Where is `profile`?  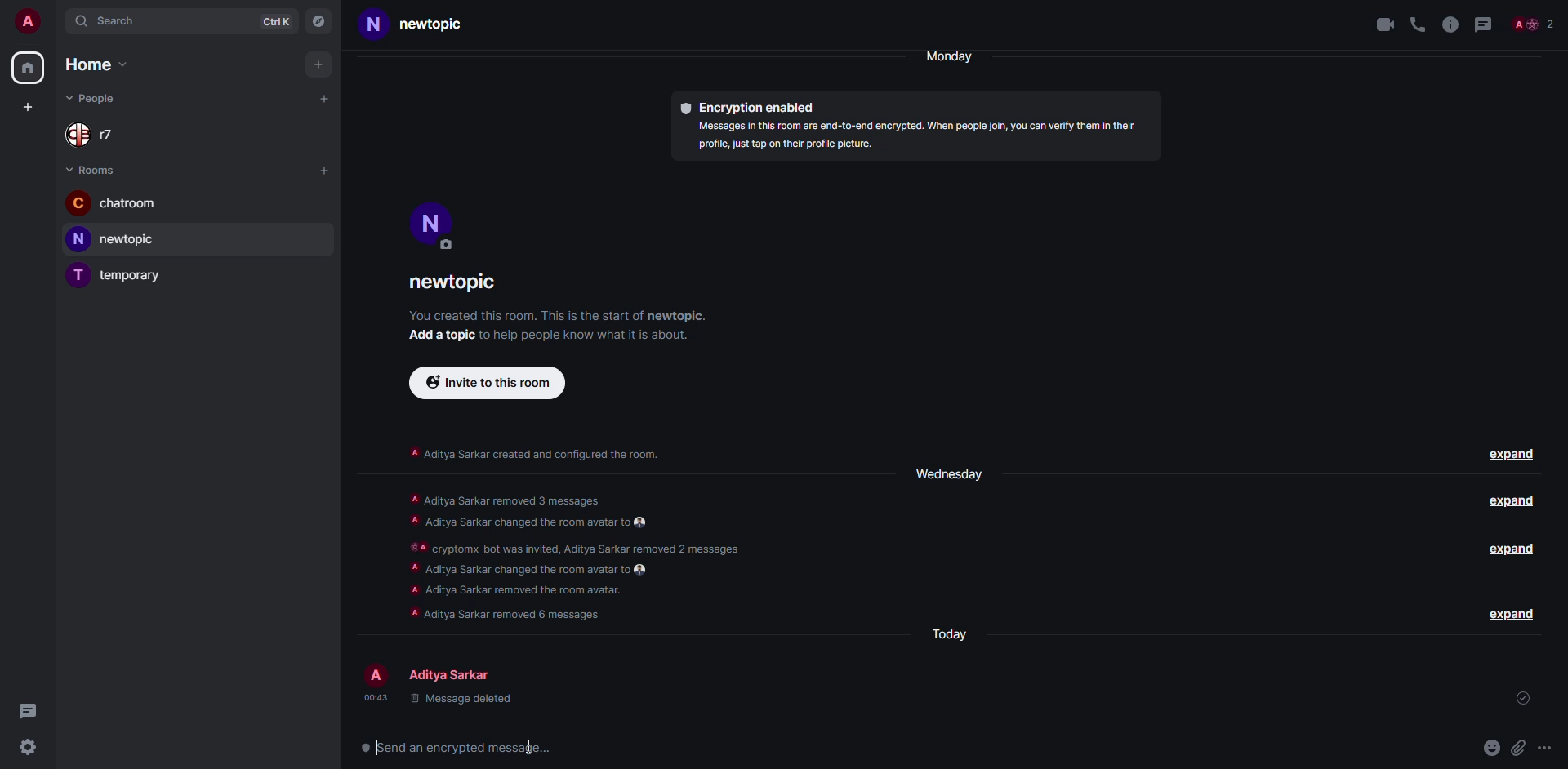 profile is located at coordinates (375, 673).